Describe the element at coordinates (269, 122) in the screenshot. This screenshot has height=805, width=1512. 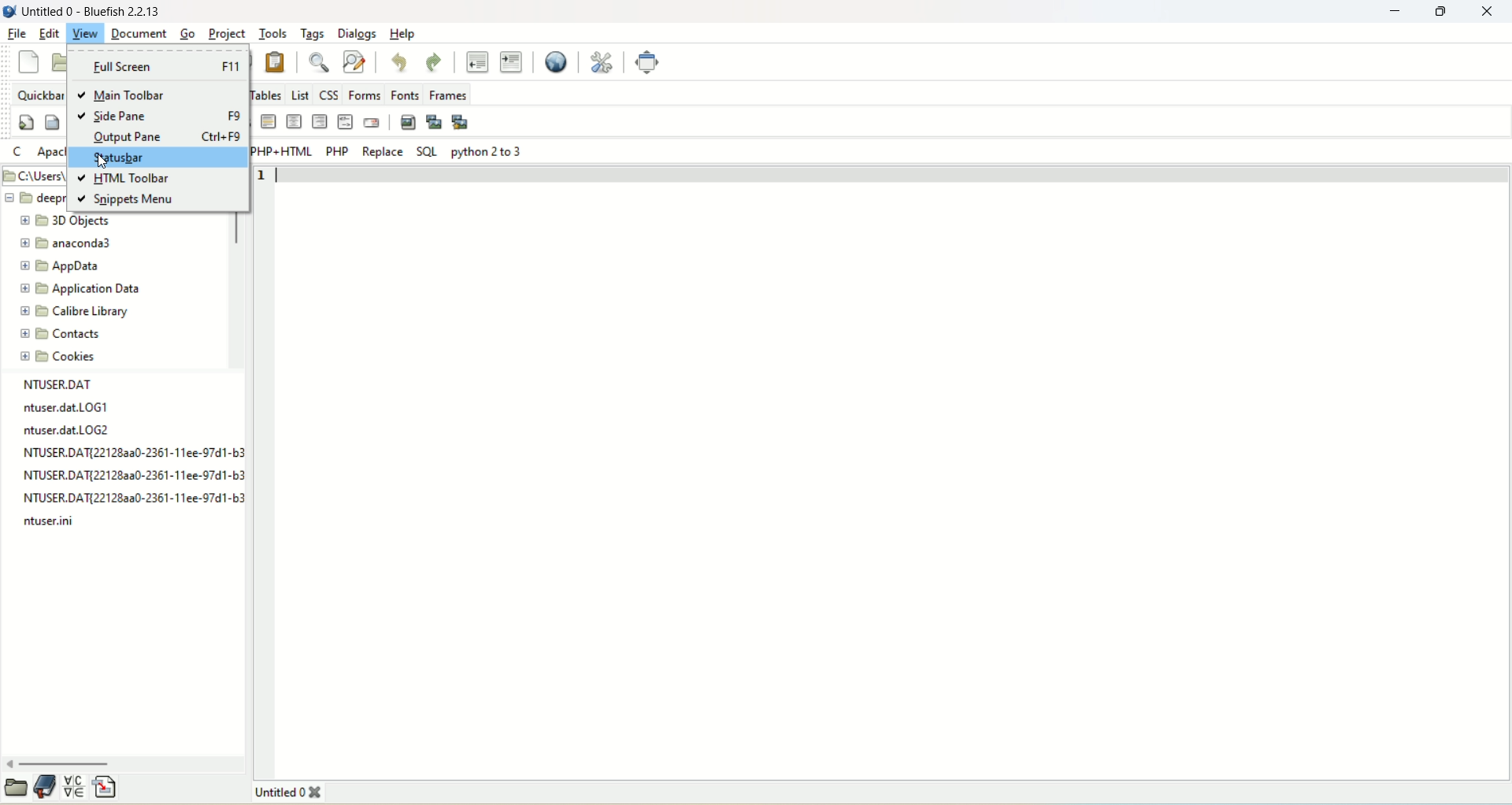
I see `horizontal rule` at that location.